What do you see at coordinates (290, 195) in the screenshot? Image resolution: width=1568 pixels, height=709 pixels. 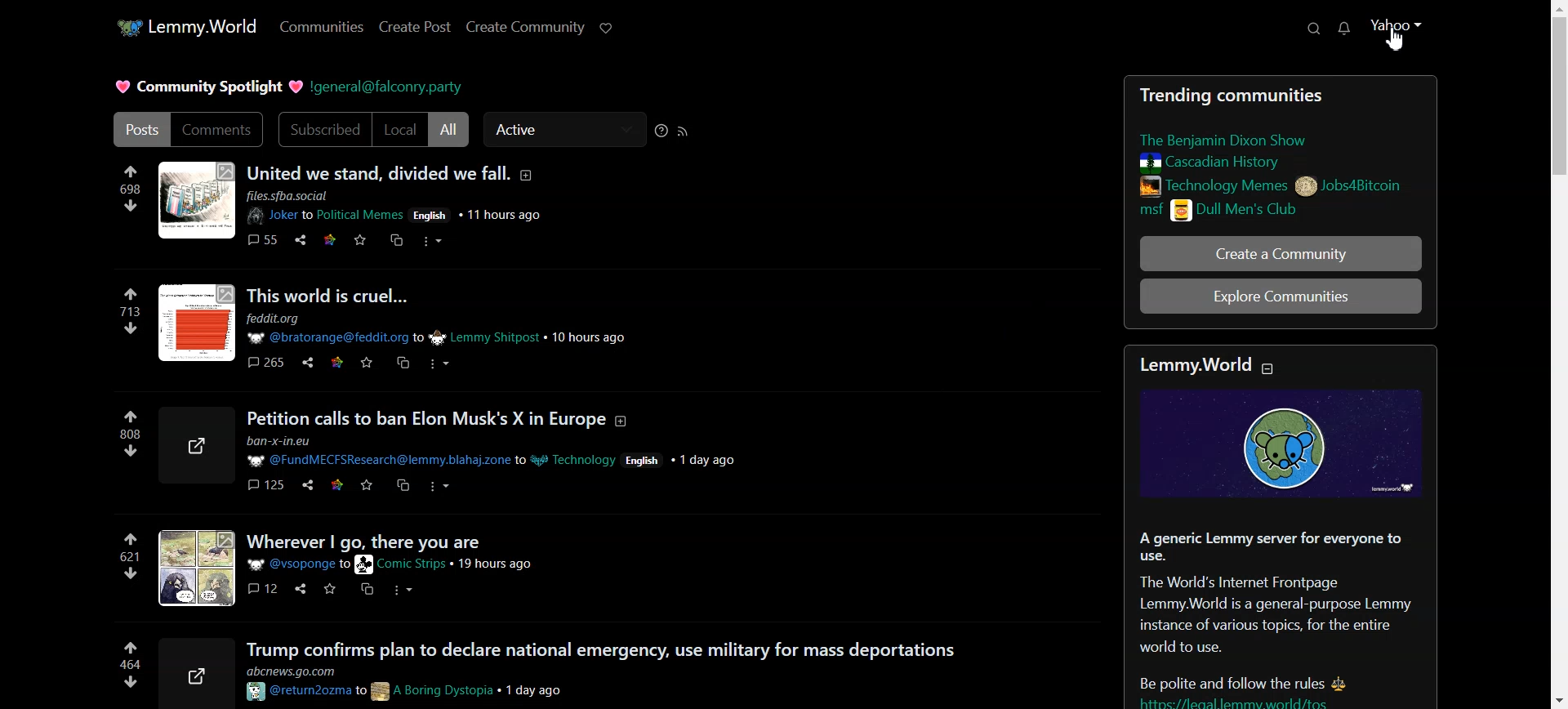 I see `ll [ues.sfba. social` at bounding box center [290, 195].